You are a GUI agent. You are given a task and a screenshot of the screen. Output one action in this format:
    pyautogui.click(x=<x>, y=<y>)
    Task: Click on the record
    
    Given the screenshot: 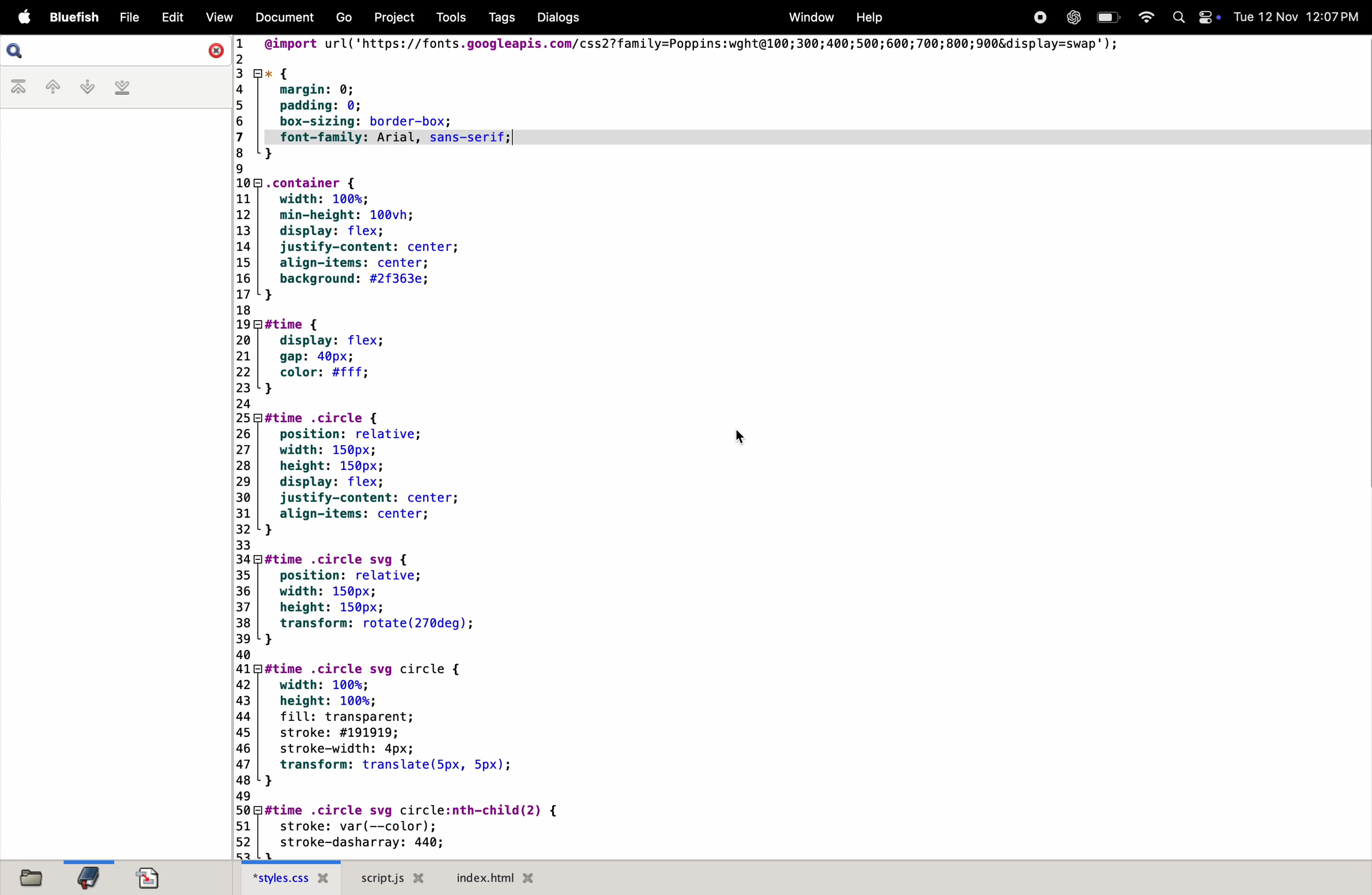 What is the action you would take?
    pyautogui.click(x=1039, y=17)
    